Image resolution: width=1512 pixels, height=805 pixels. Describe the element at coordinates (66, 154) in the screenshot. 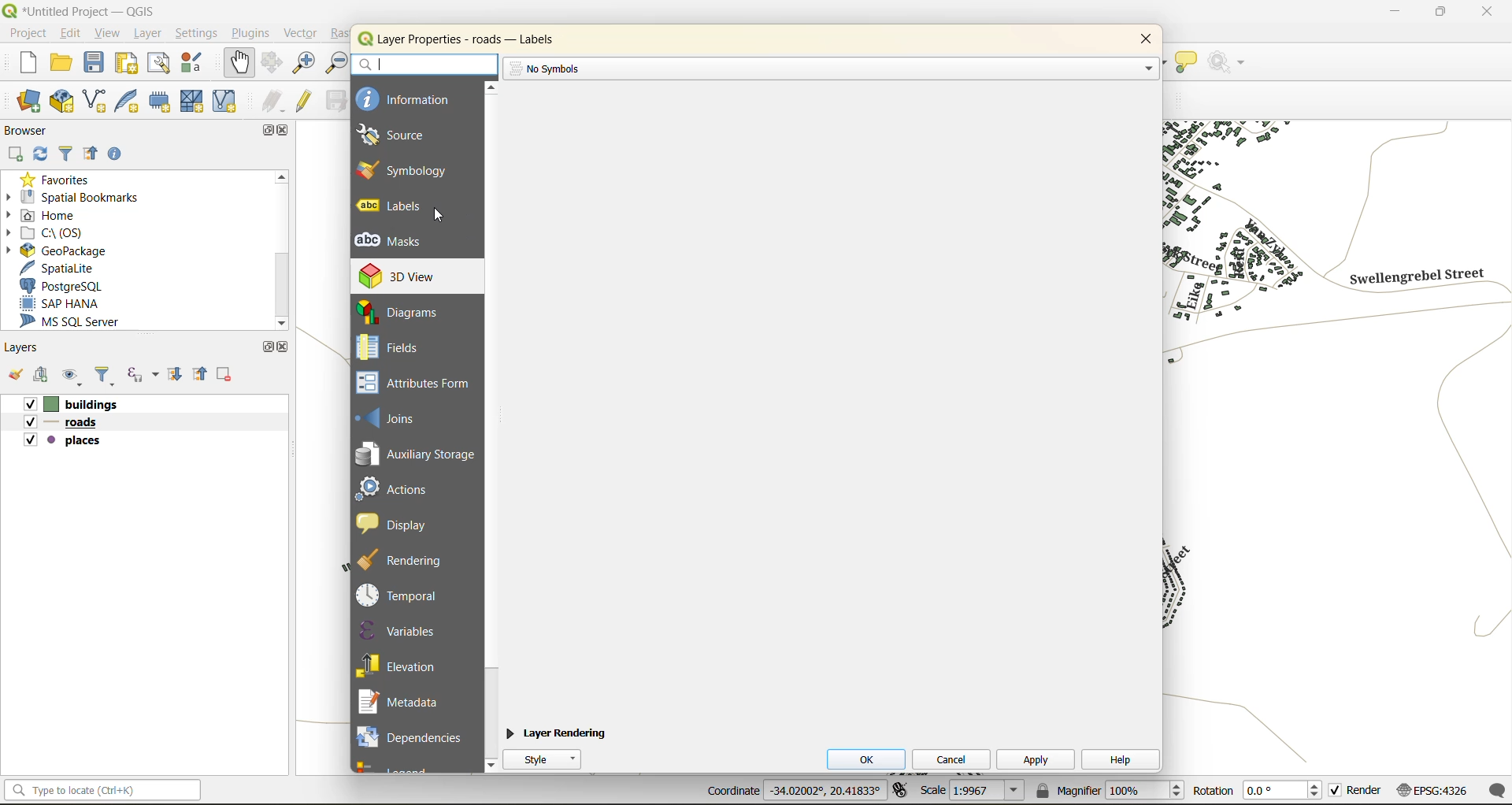

I see `filter` at that location.